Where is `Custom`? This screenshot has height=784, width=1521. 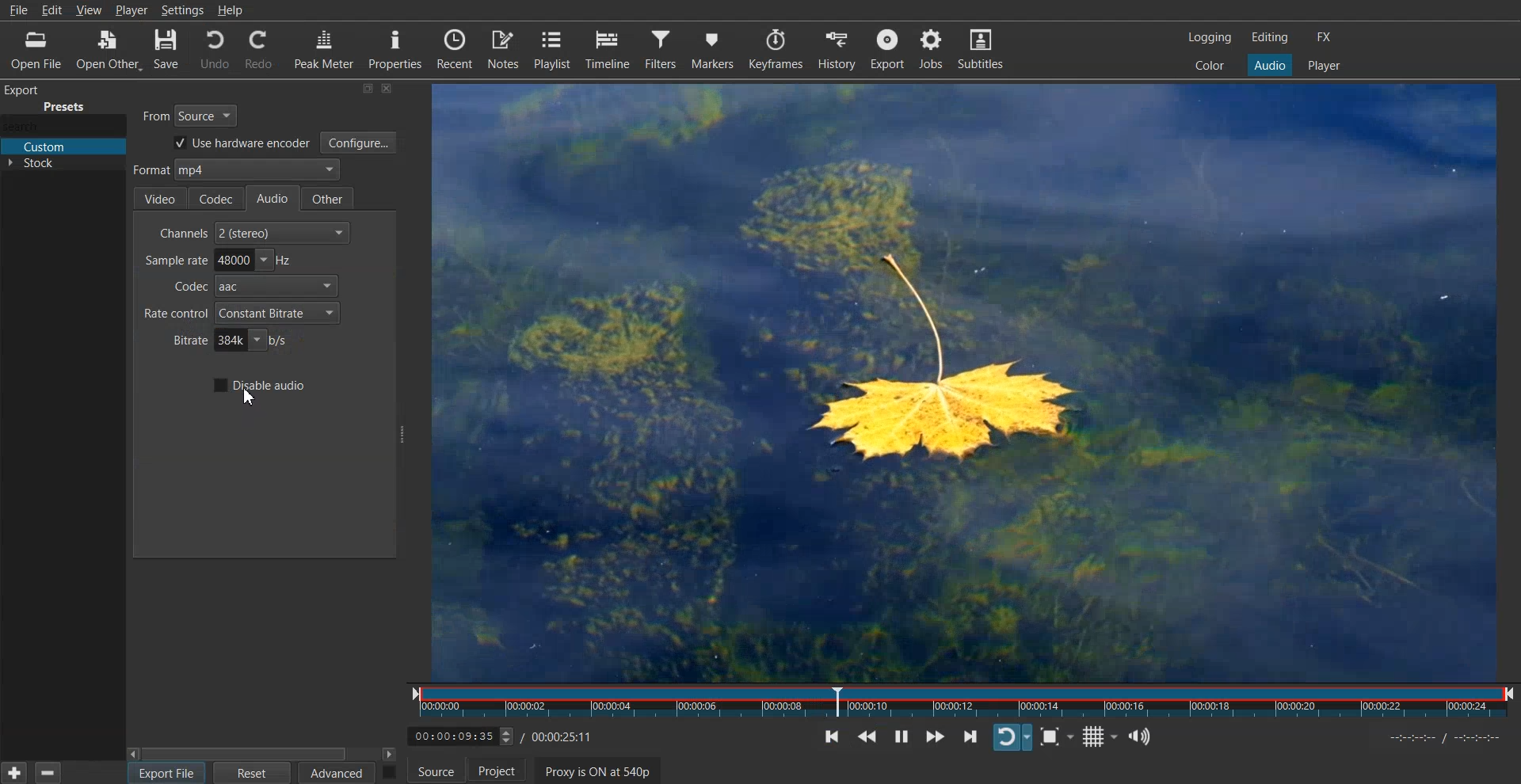 Custom is located at coordinates (63, 147).